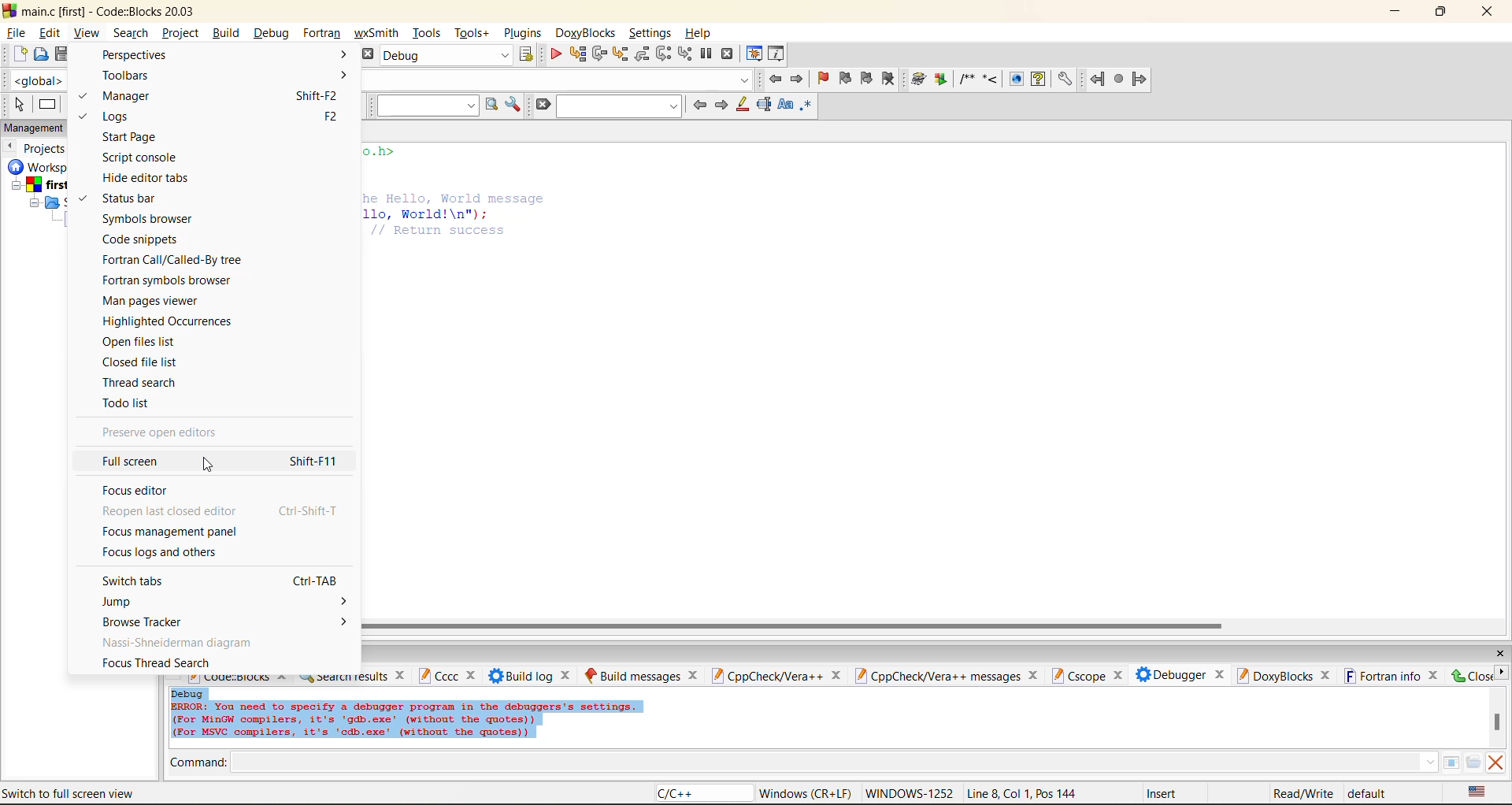 The width and height of the screenshot is (1512, 805). I want to click on build log, so click(531, 675).